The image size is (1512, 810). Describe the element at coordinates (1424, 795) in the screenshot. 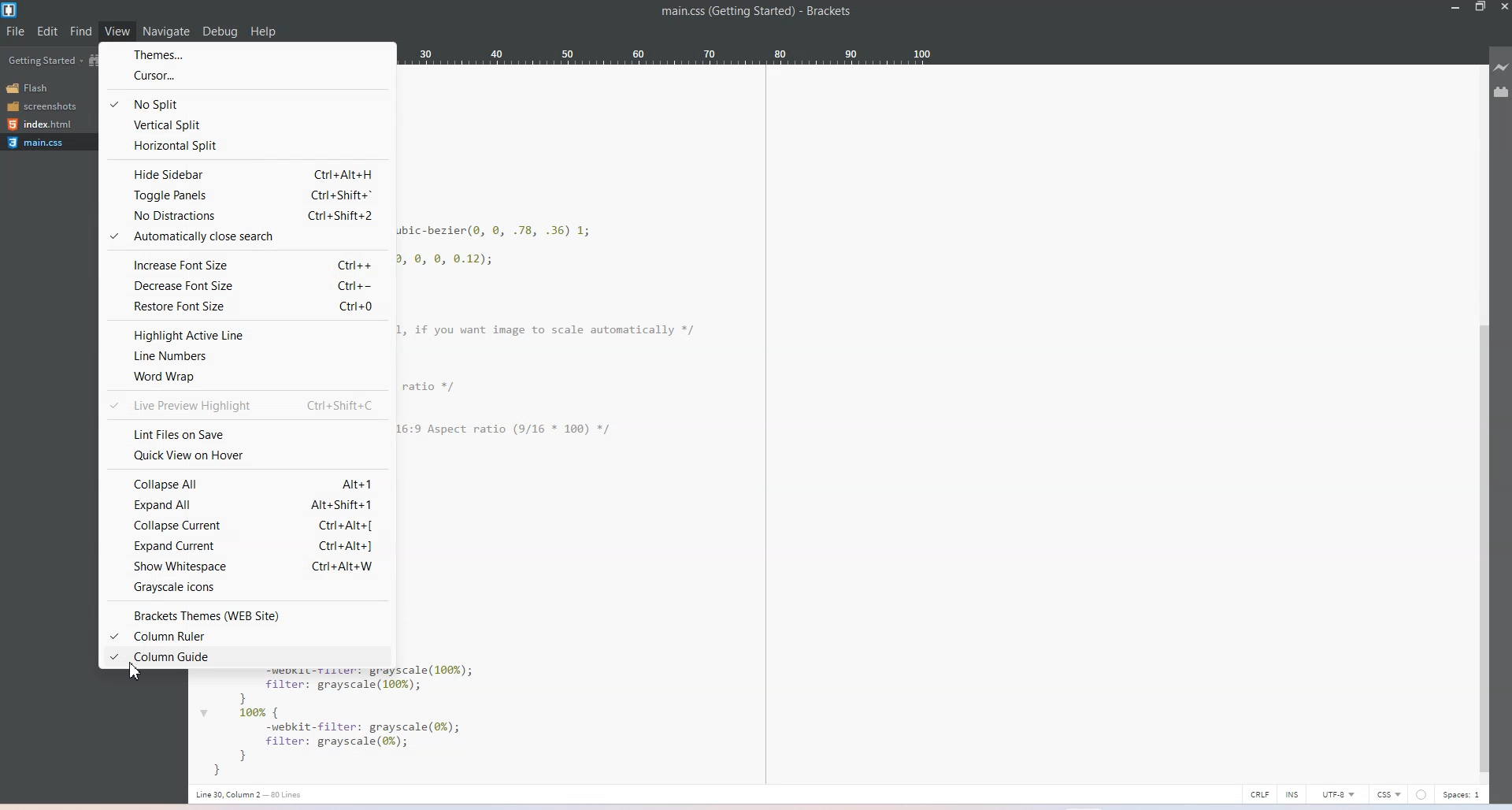

I see `No linter available` at that location.